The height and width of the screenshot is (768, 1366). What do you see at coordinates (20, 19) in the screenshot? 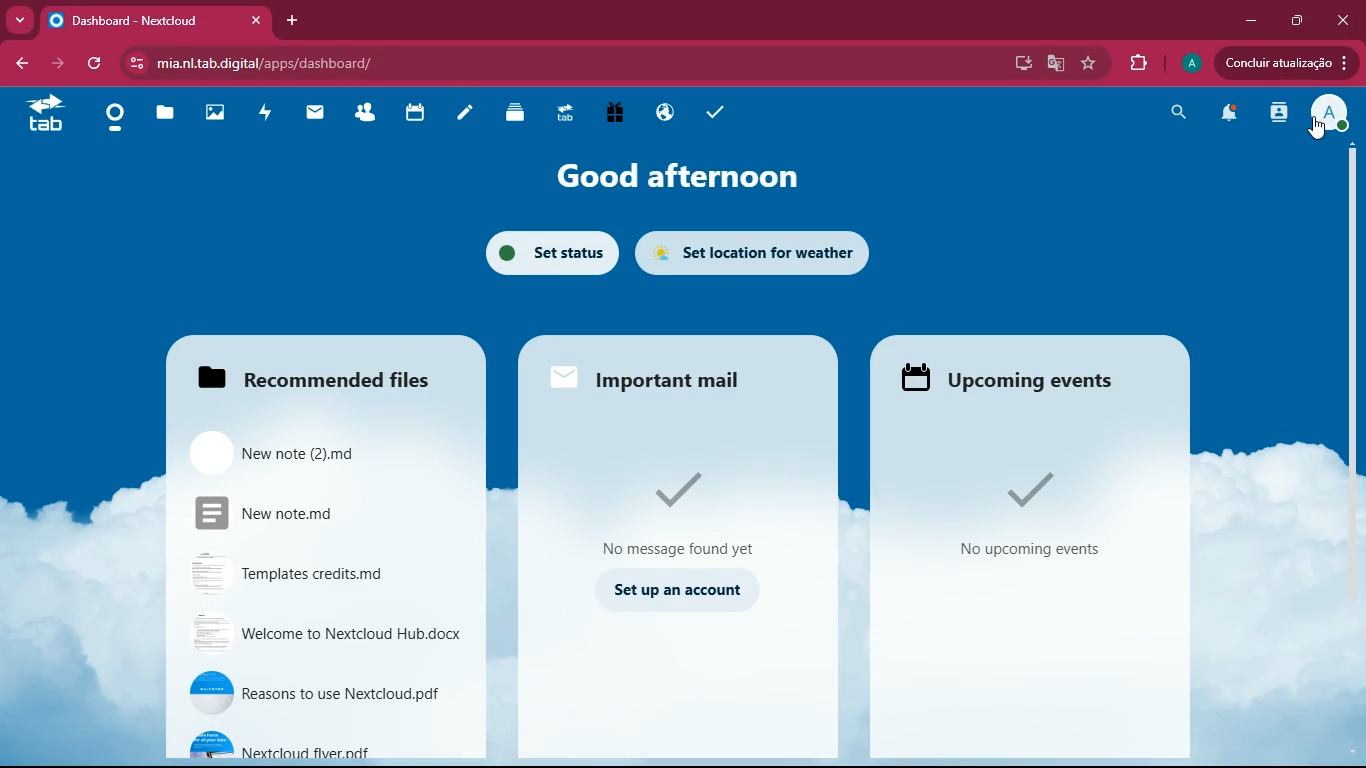
I see `more` at bounding box center [20, 19].